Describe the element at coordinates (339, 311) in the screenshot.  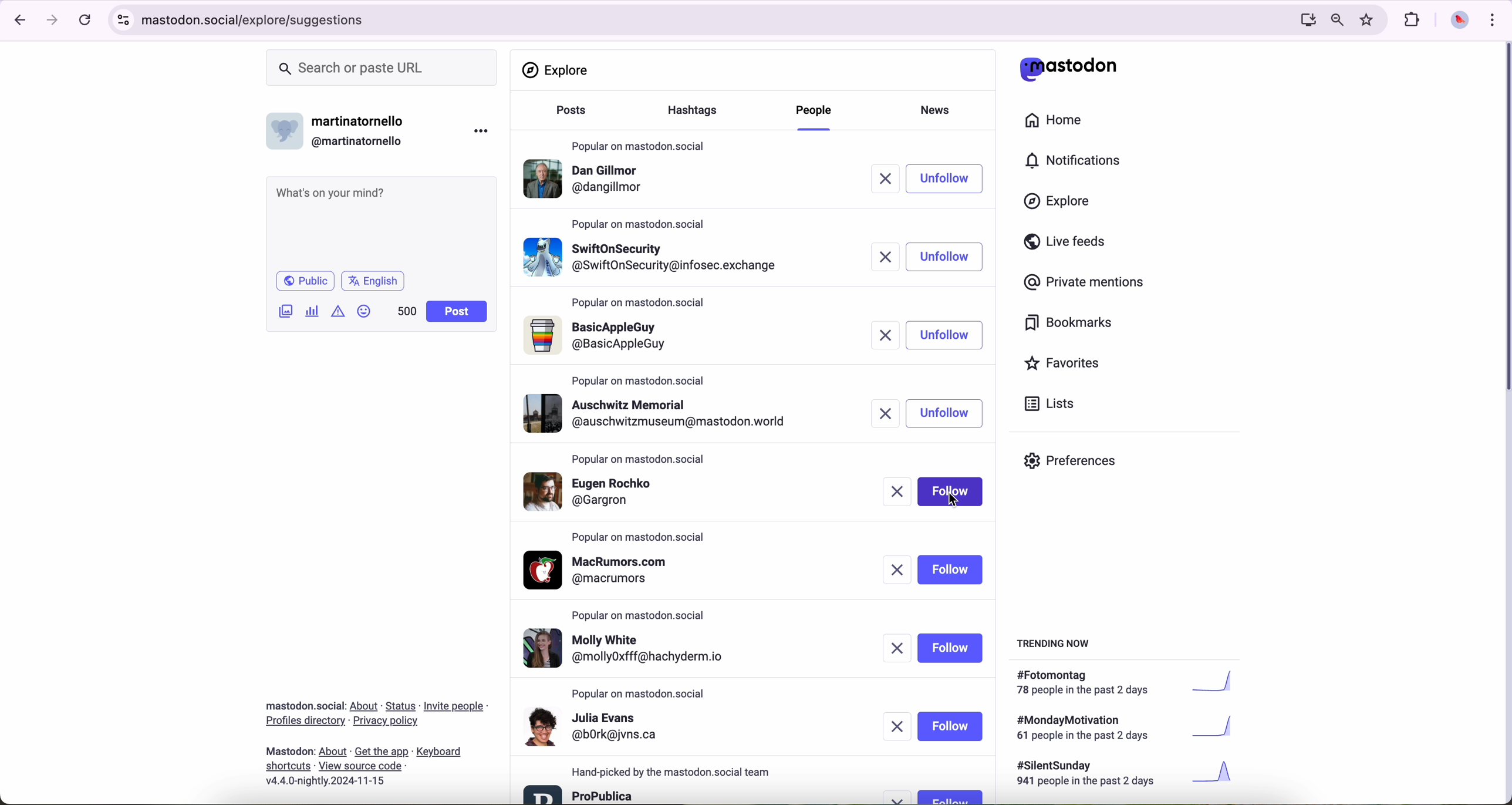
I see `icon` at that location.